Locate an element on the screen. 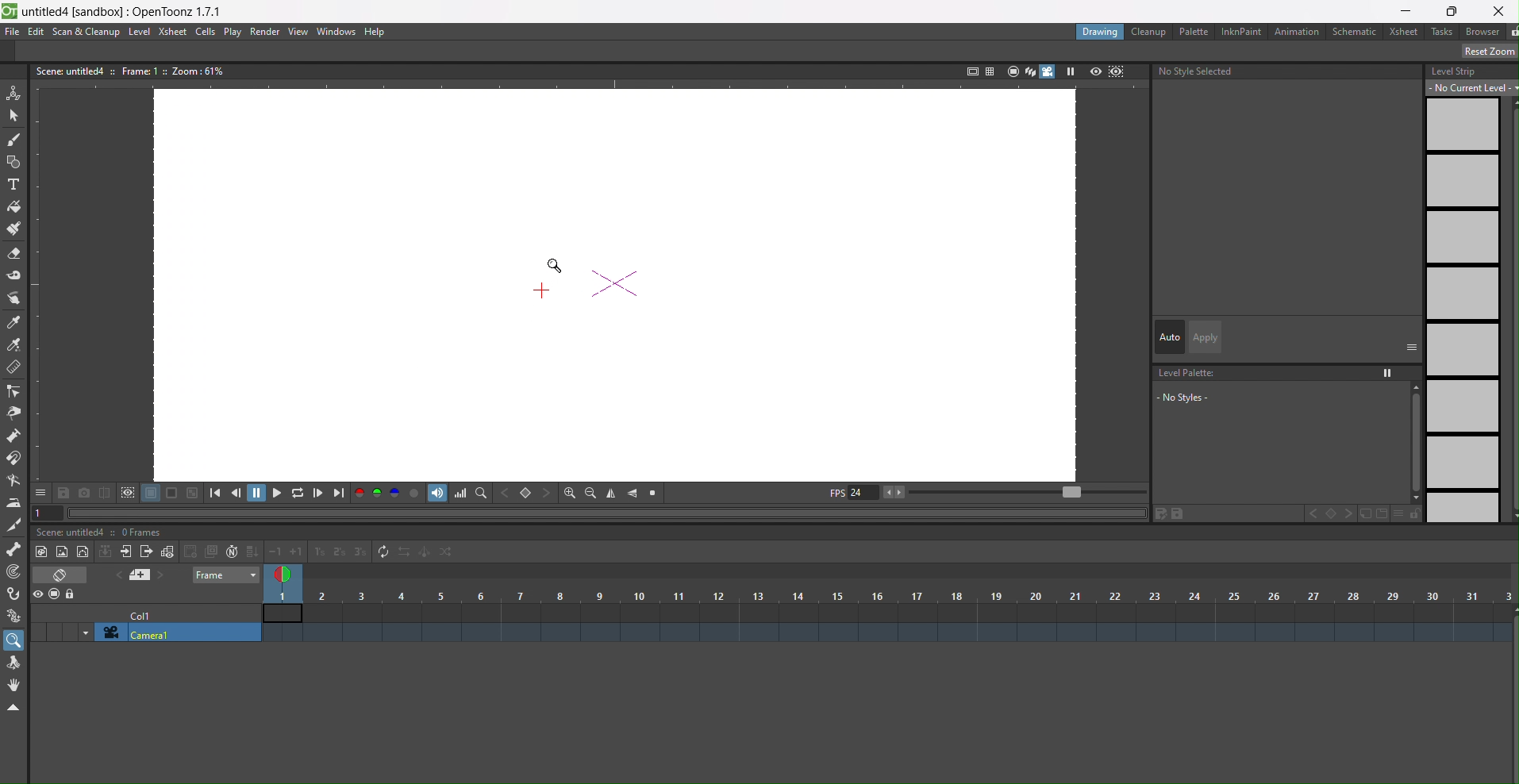  close is located at coordinates (1499, 10).